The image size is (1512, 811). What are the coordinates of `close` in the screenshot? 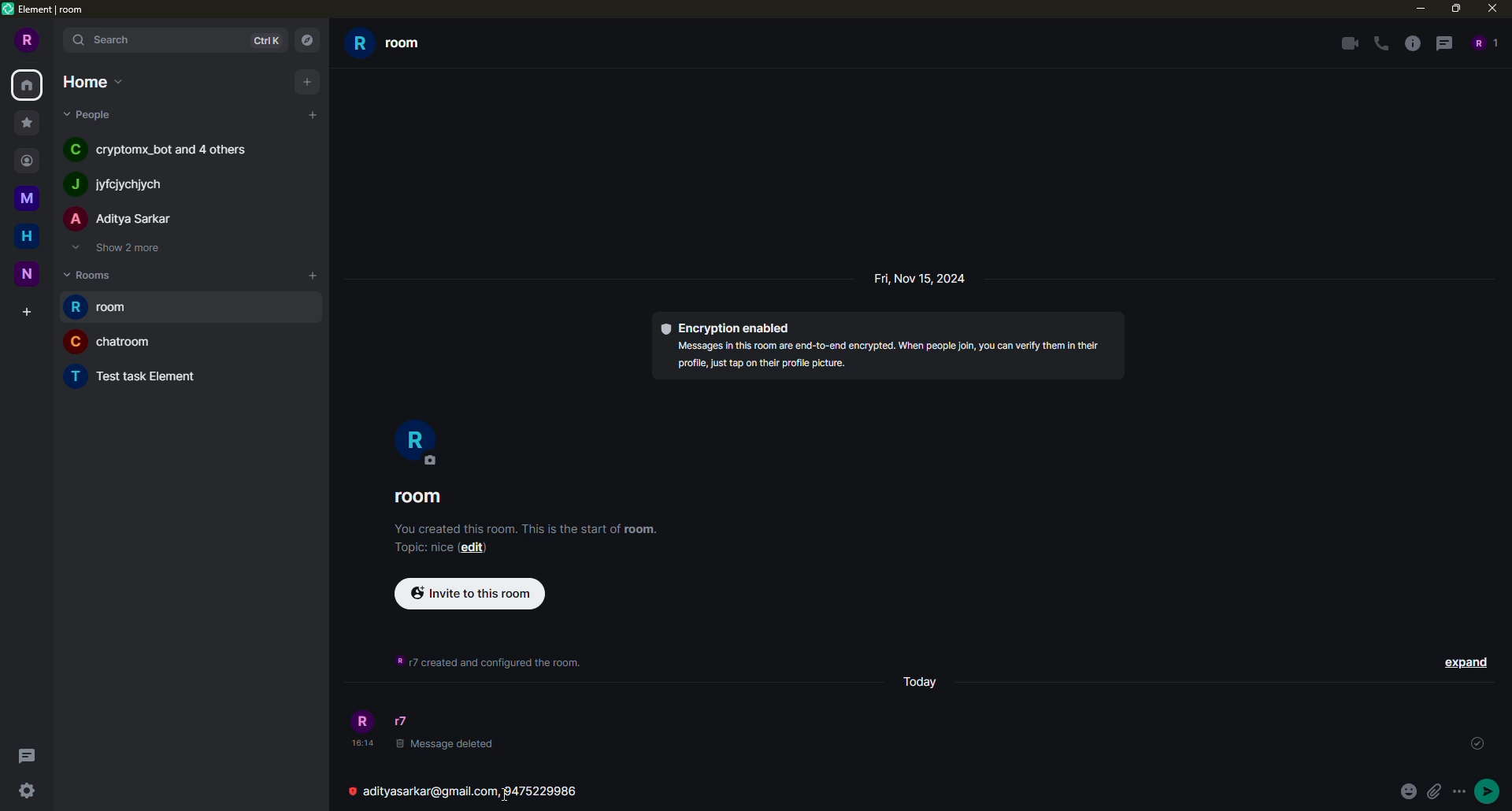 It's located at (1491, 9).